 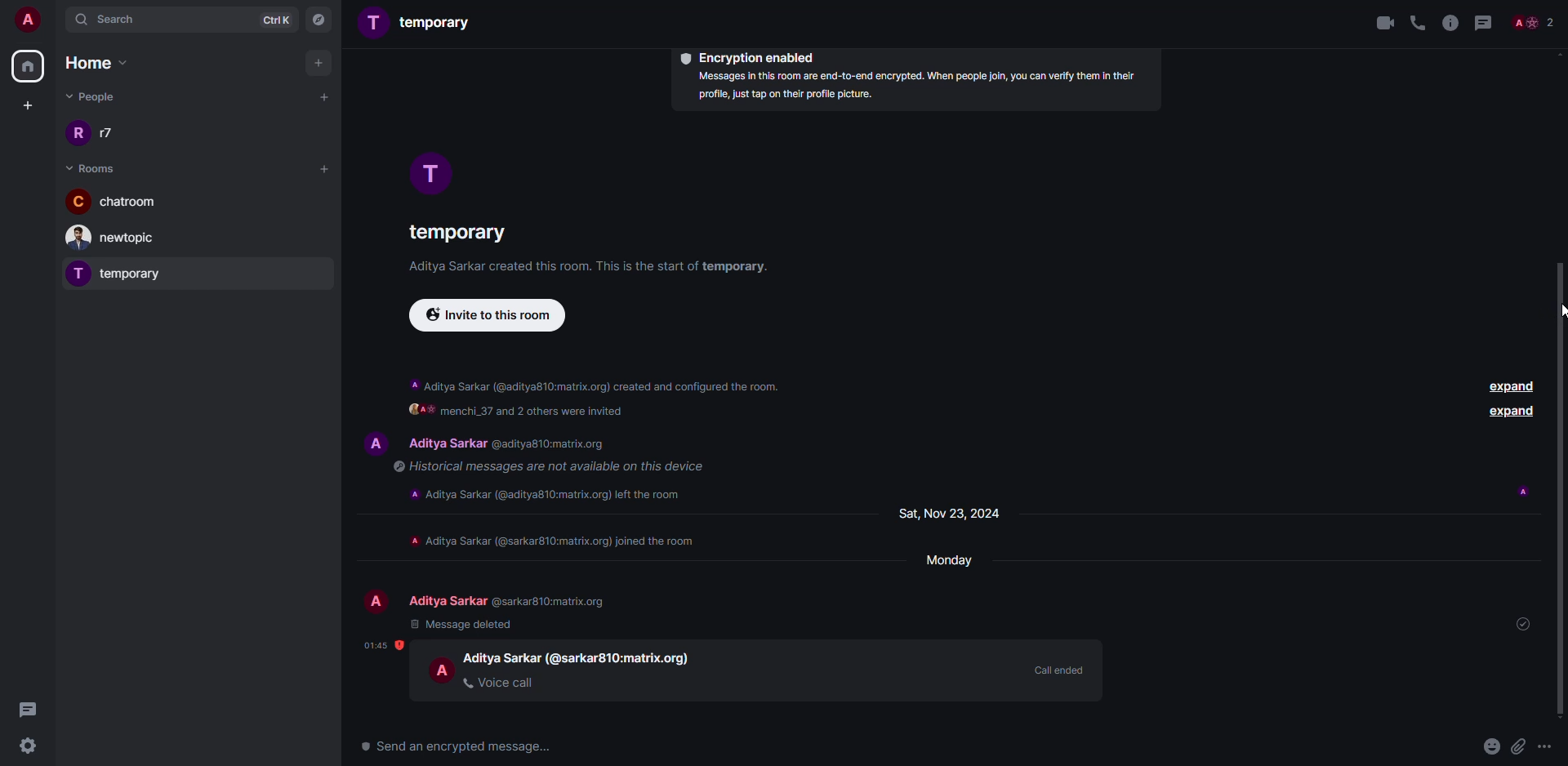 I want to click on attach, so click(x=1519, y=746).